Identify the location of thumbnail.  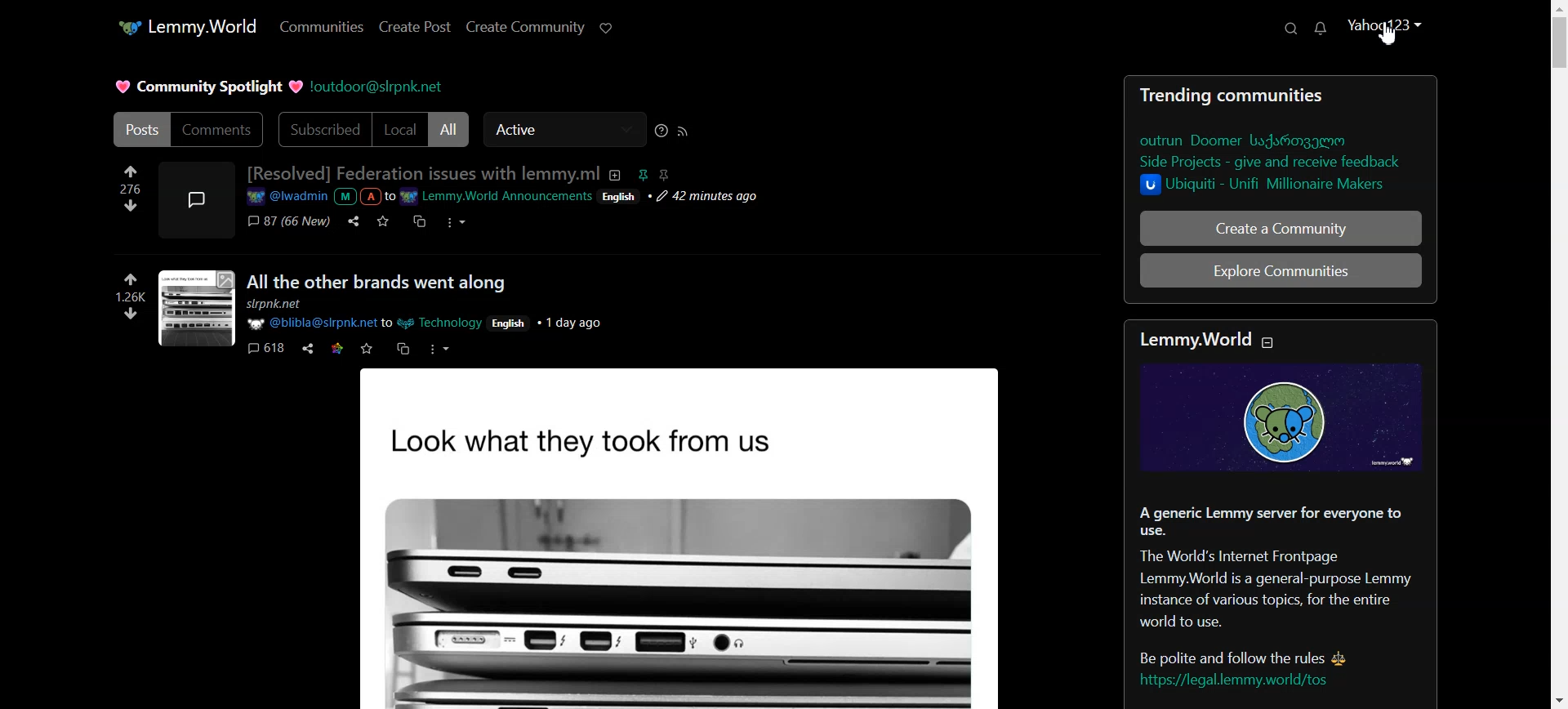
(196, 309).